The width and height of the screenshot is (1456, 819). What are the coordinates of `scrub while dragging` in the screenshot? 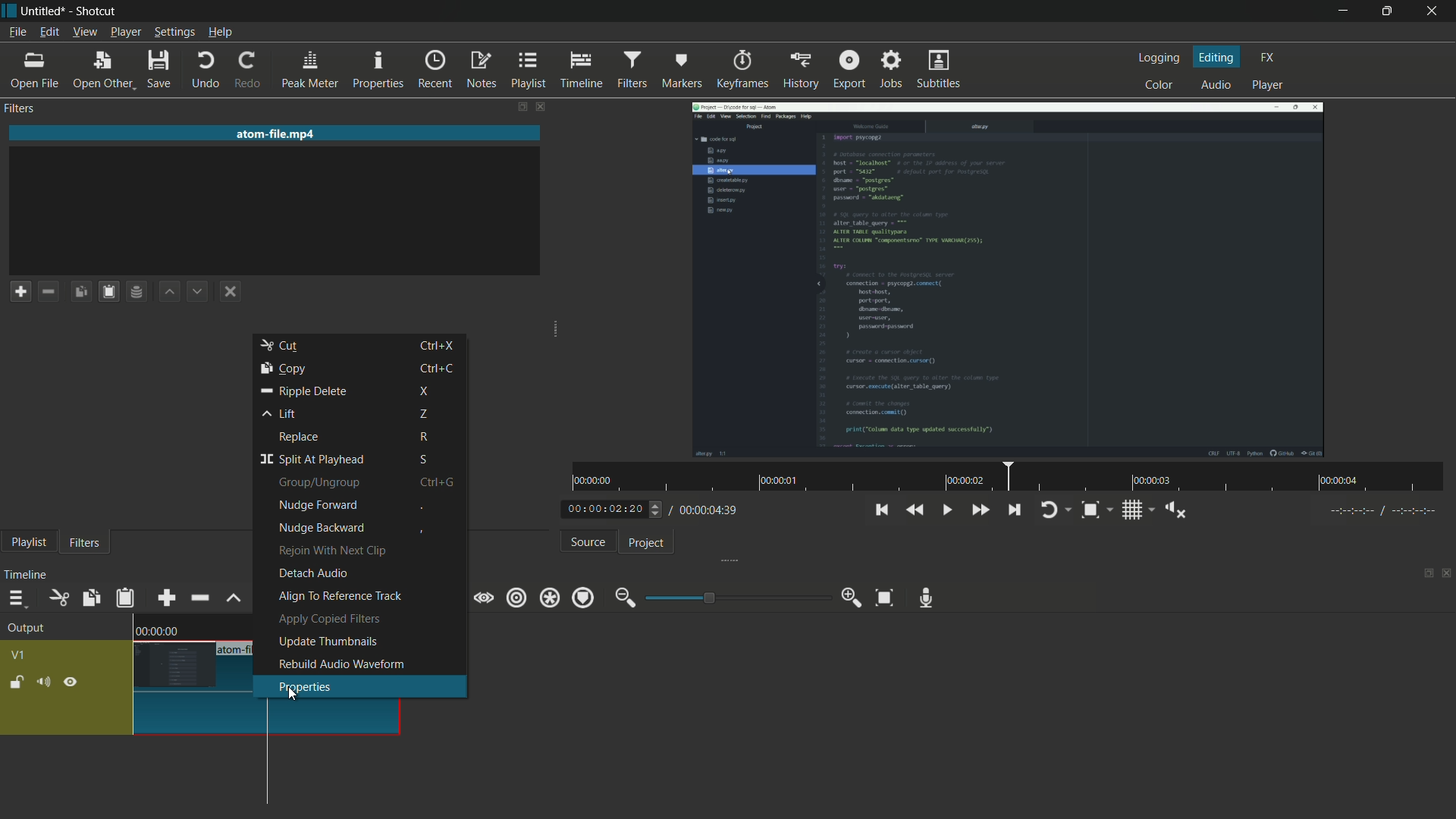 It's located at (483, 599).